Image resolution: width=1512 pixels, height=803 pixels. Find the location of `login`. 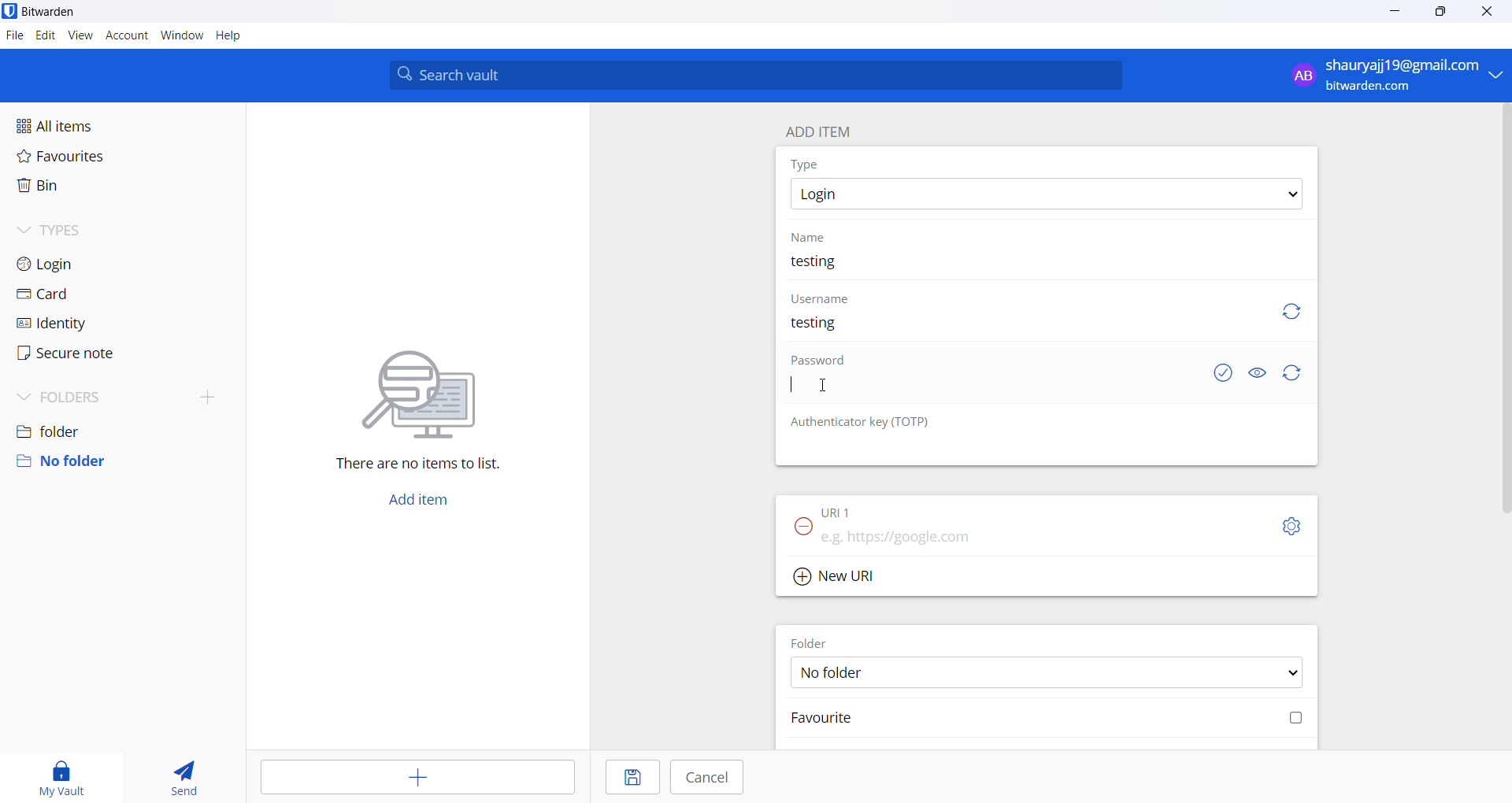

login is located at coordinates (82, 265).